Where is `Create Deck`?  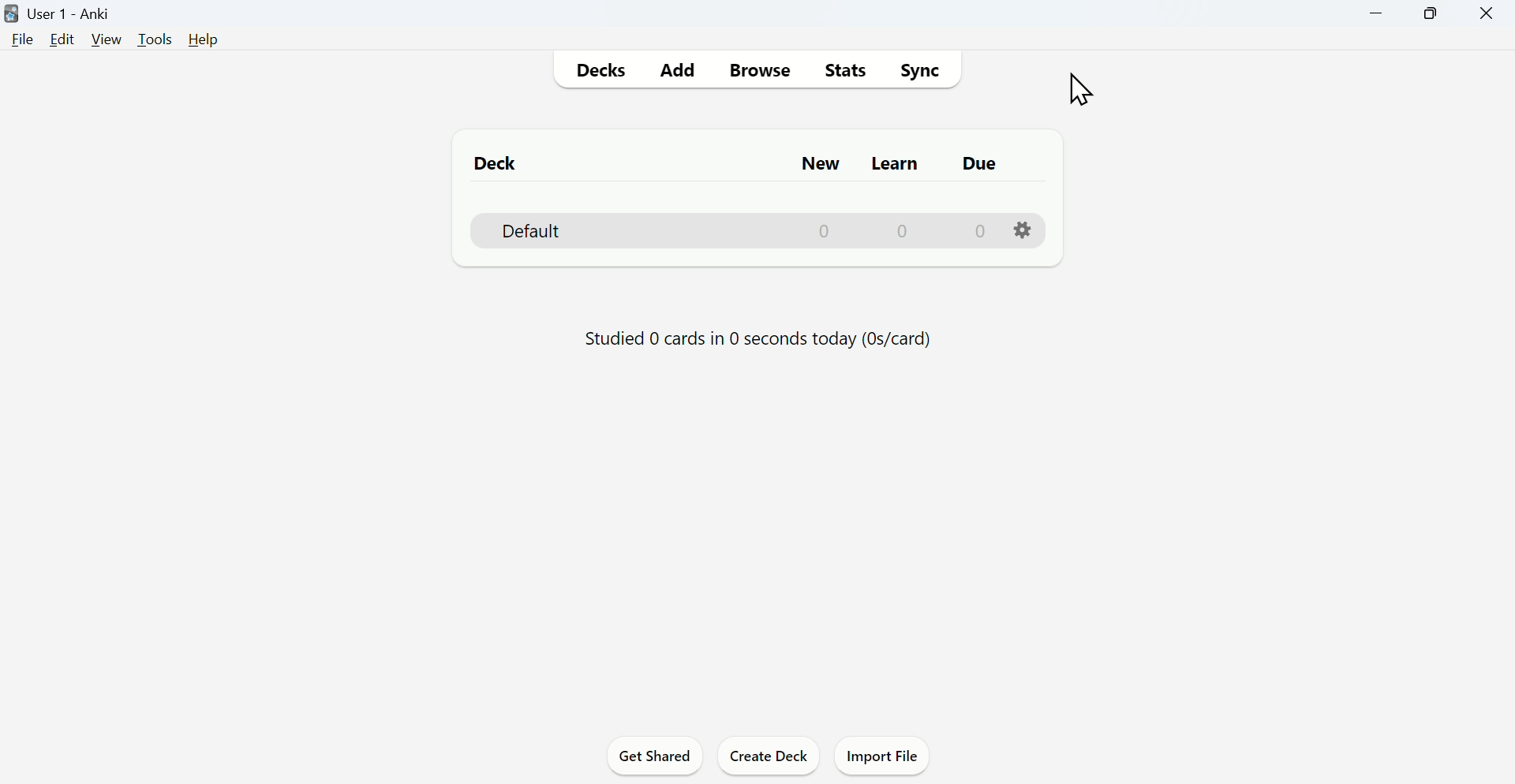
Create Deck is located at coordinates (770, 754).